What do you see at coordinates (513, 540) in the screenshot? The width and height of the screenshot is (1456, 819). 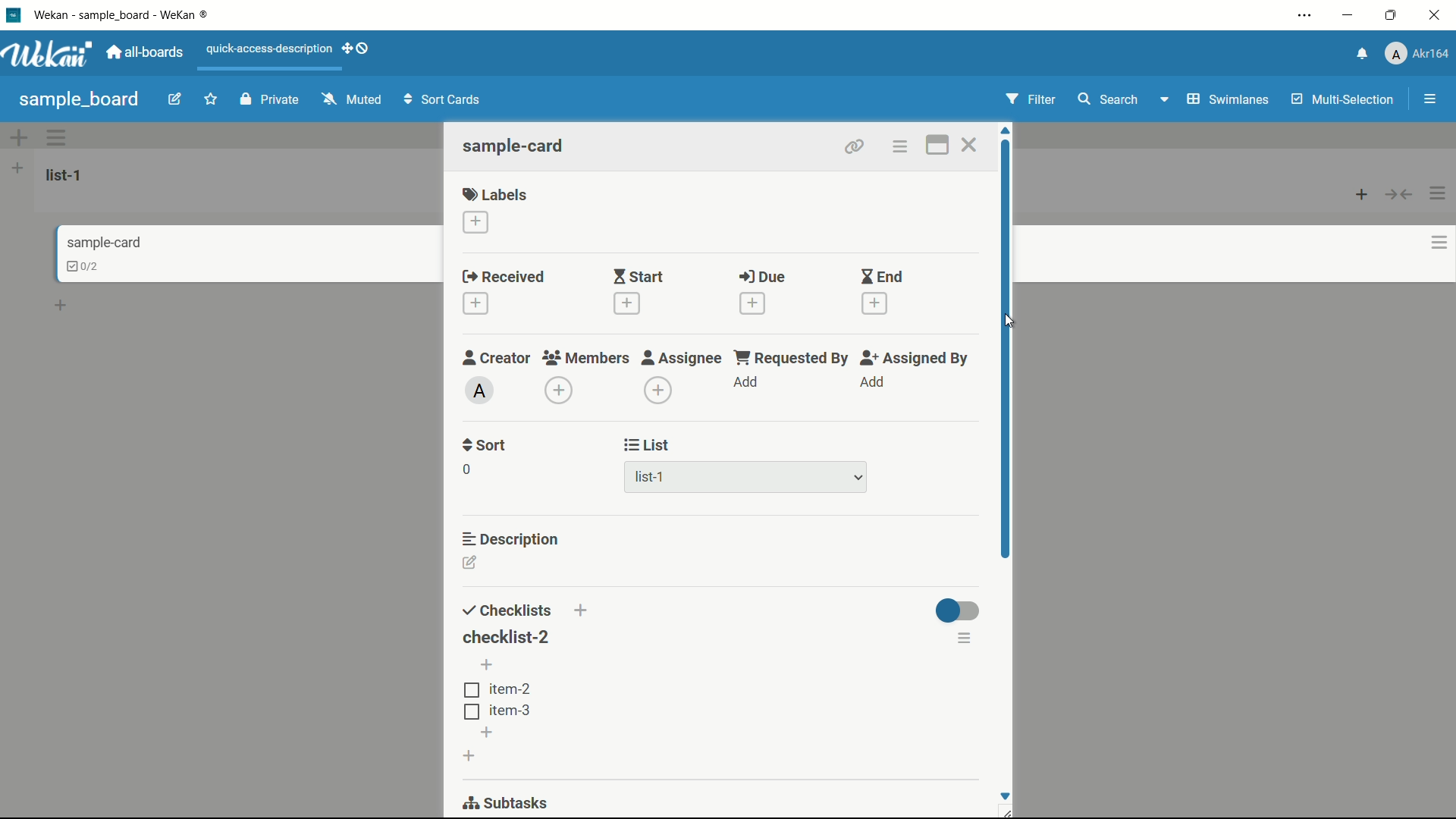 I see `description` at bounding box center [513, 540].